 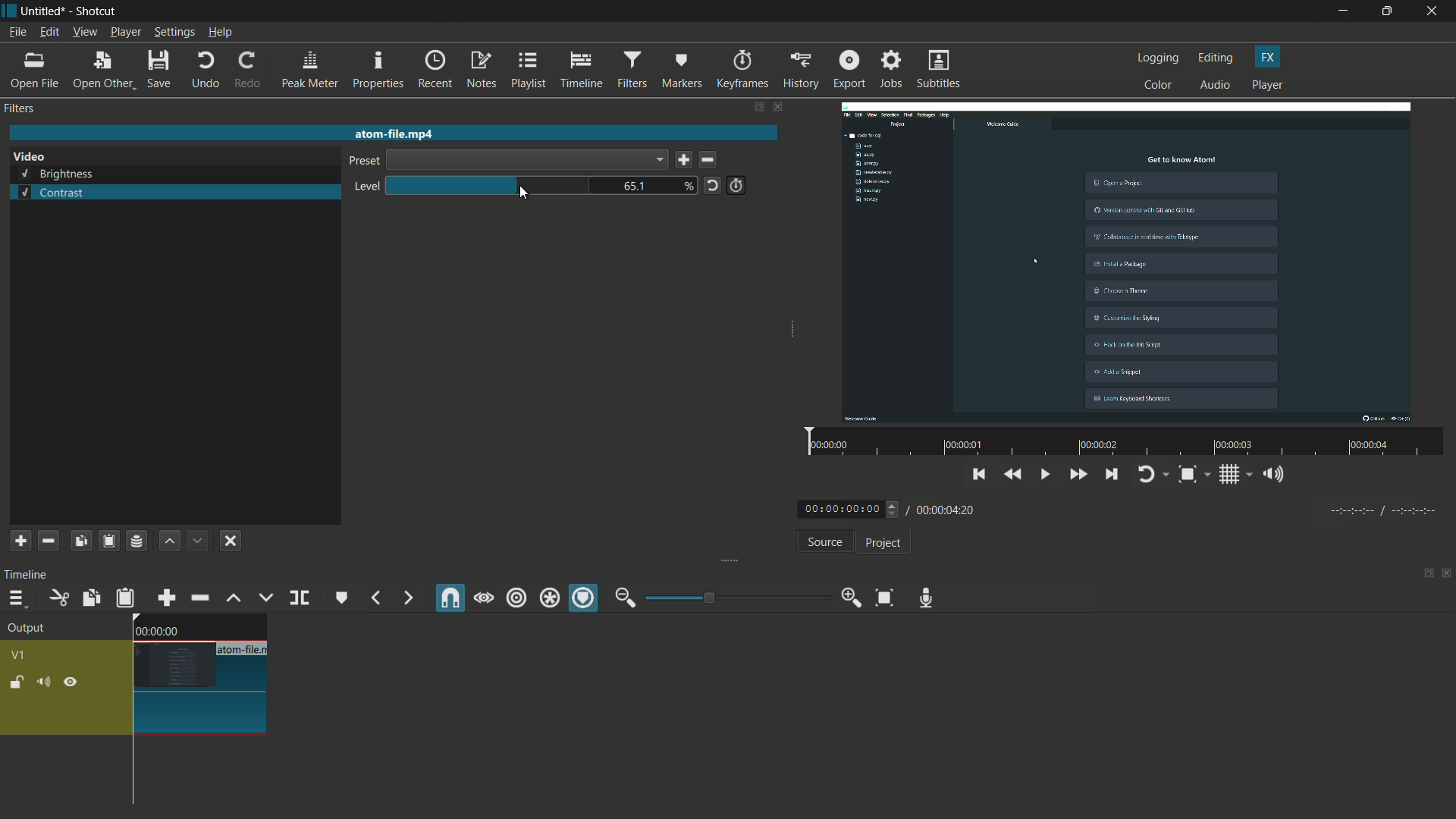 I want to click on timeline, so click(x=29, y=574).